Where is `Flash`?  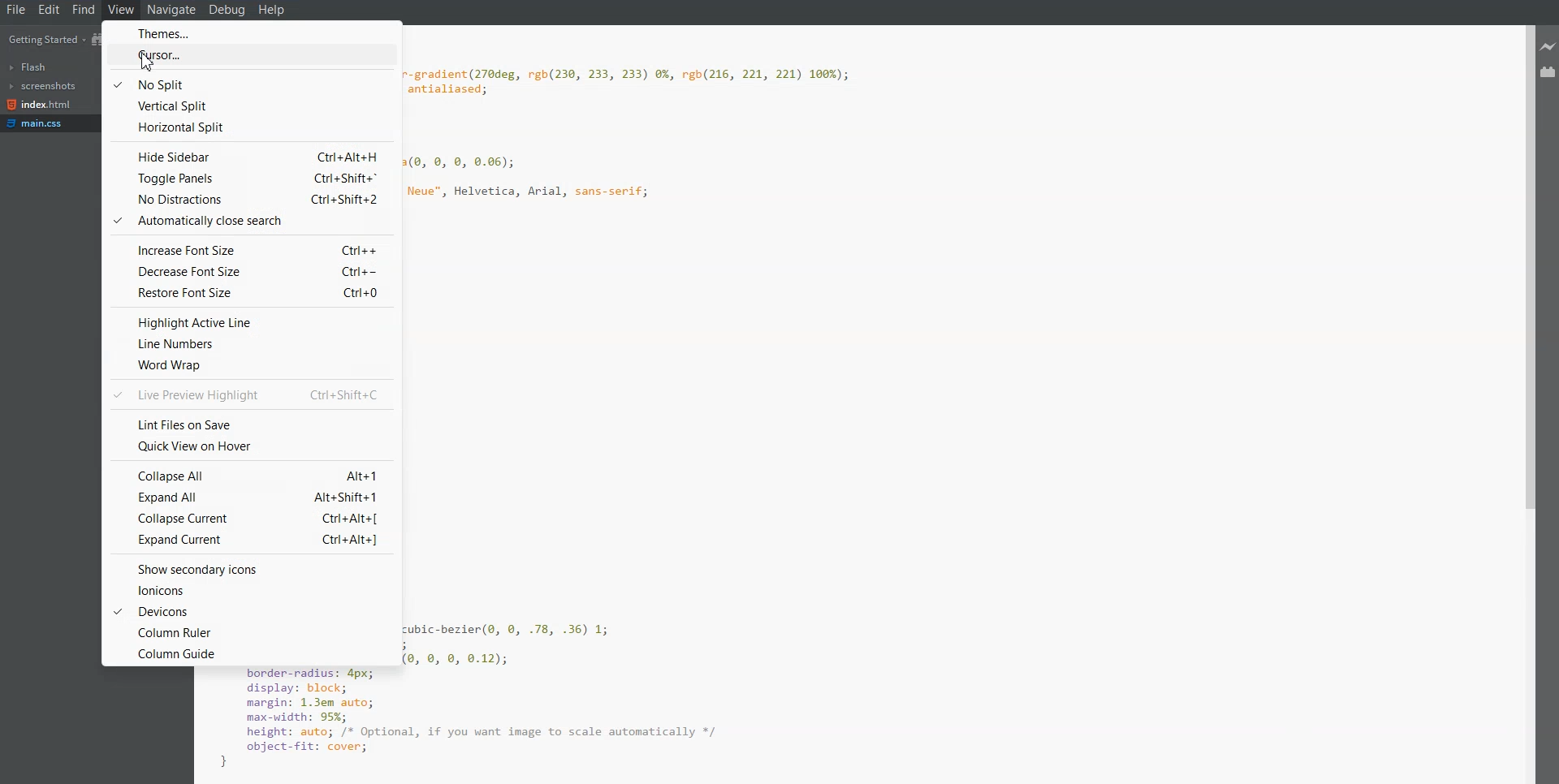
Flash is located at coordinates (29, 67).